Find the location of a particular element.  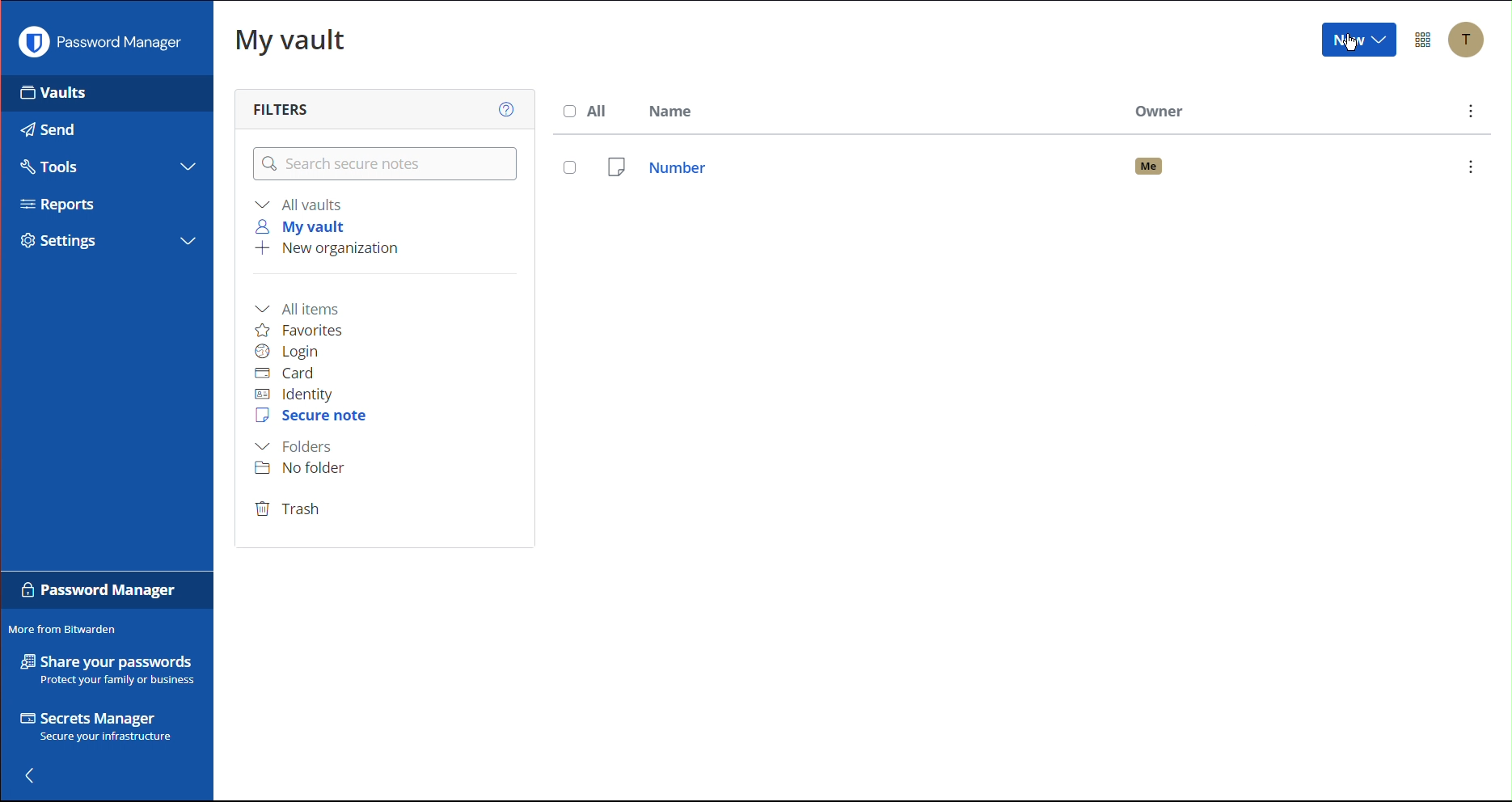

Reports is located at coordinates (65, 207).